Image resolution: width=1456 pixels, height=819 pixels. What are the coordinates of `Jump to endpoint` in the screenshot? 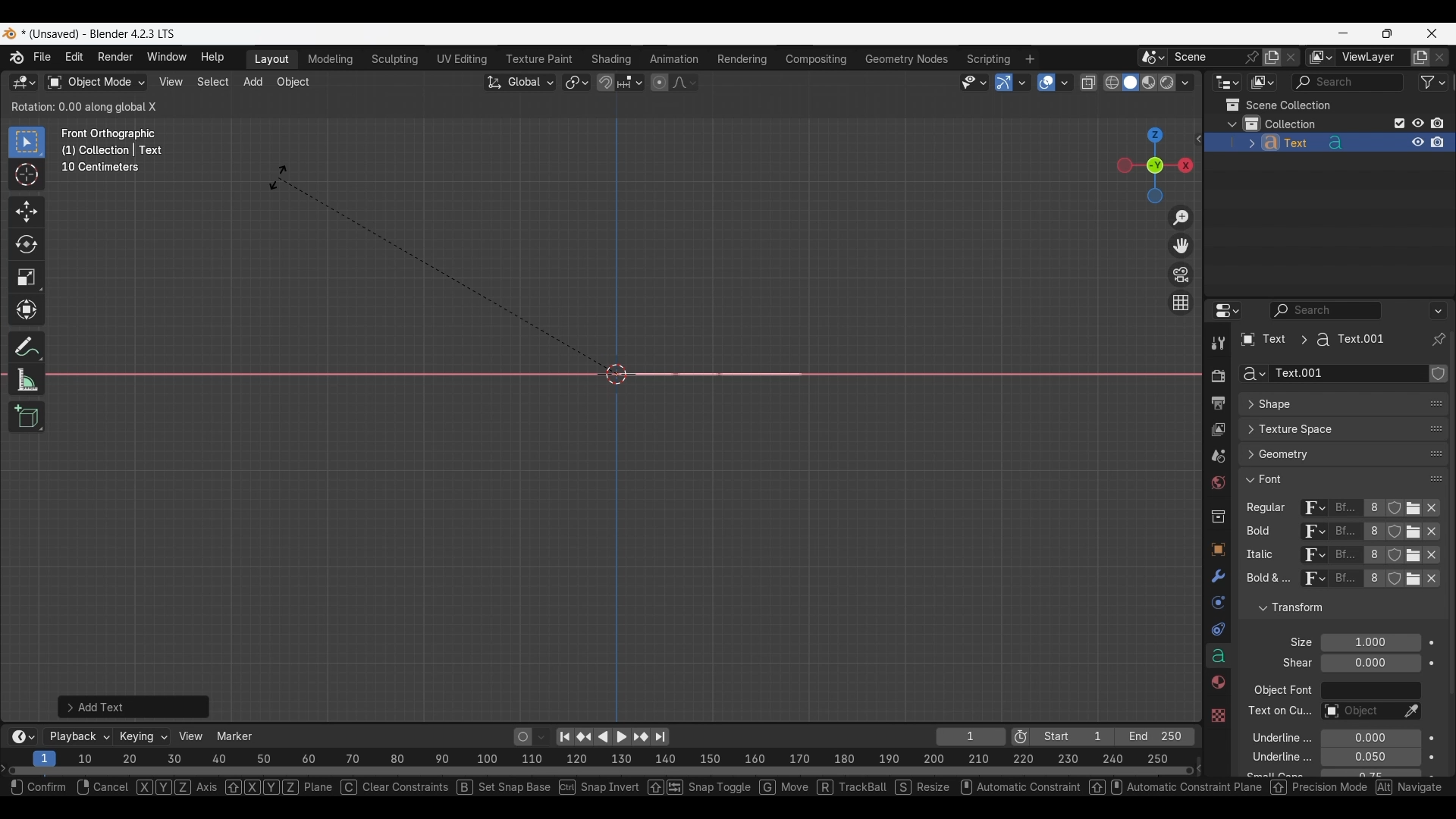 It's located at (565, 737).